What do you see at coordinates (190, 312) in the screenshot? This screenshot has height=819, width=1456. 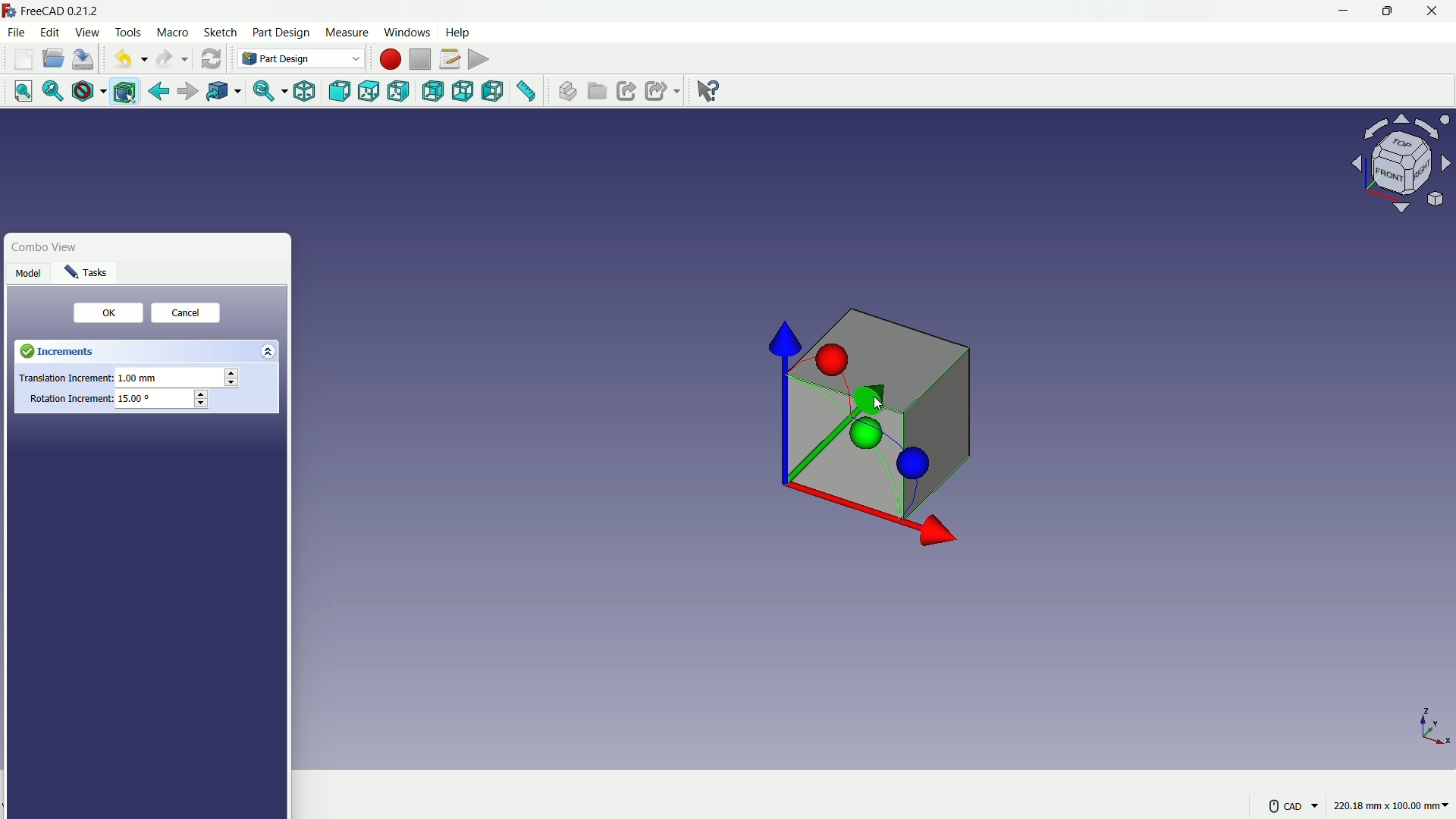 I see `Cancel` at bounding box center [190, 312].